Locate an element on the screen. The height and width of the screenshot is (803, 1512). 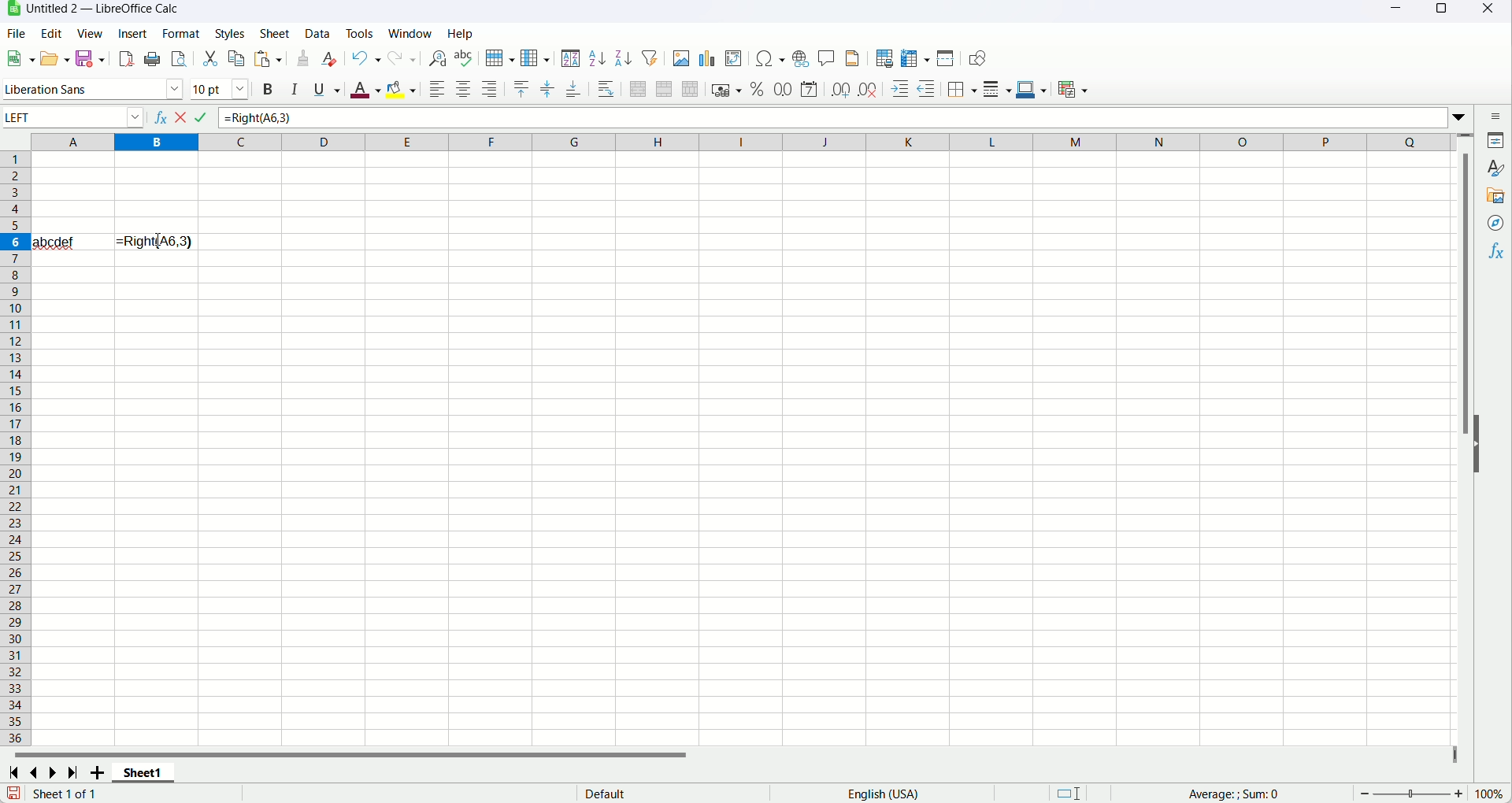
define print area is located at coordinates (883, 59).